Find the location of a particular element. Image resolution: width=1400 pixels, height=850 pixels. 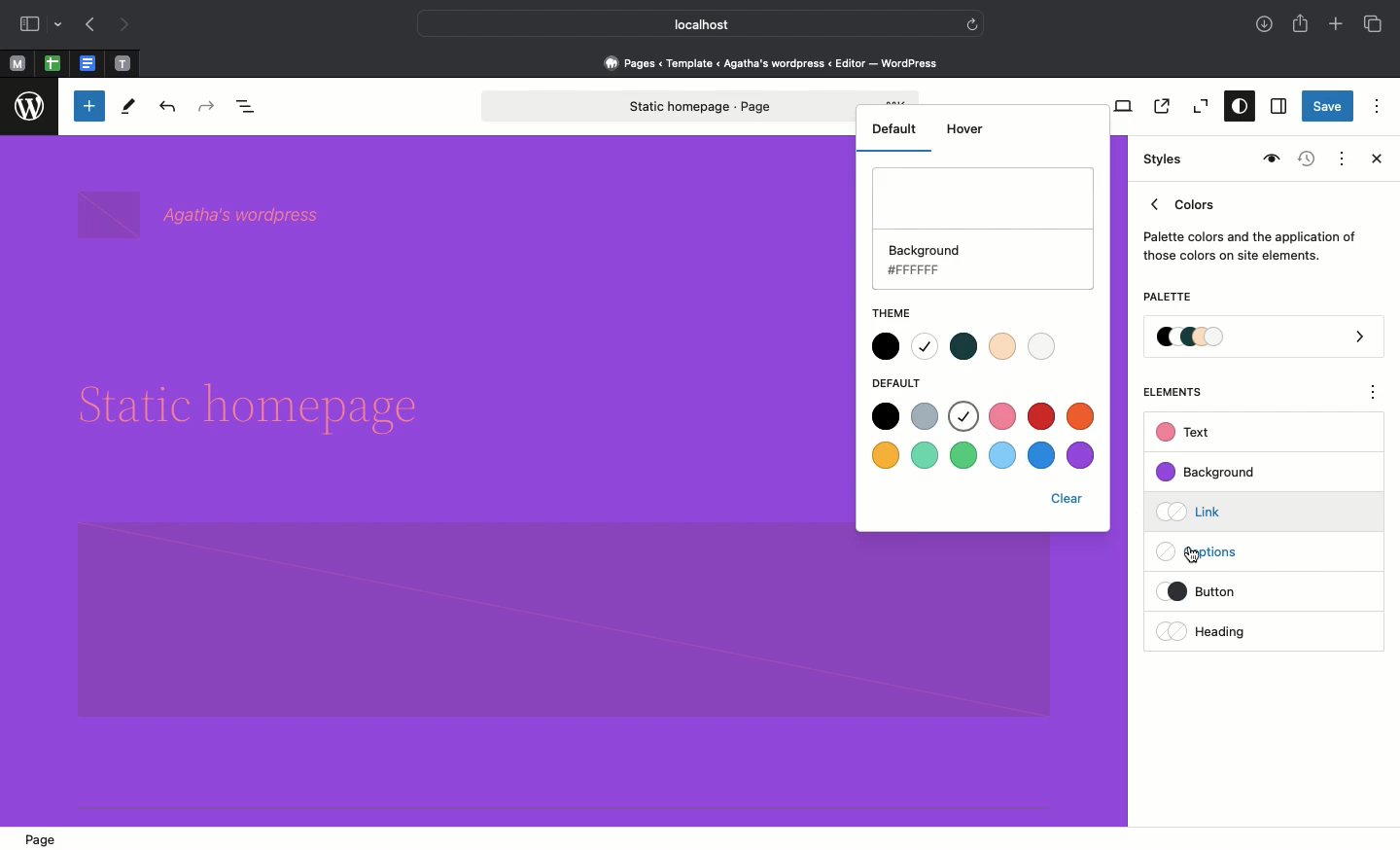

wordpress name is located at coordinates (204, 214).